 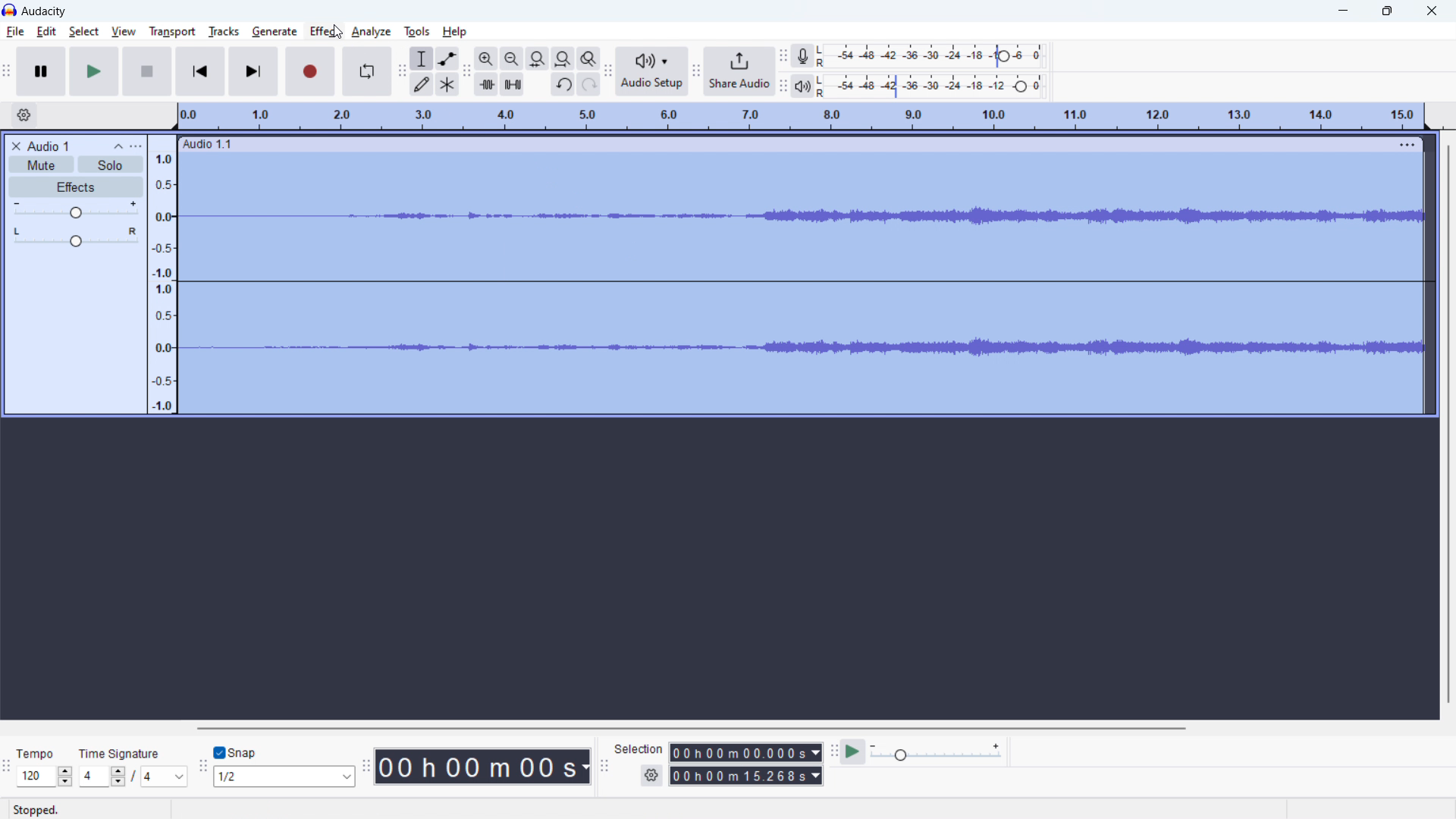 What do you see at coordinates (486, 83) in the screenshot?
I see `trim audio outside selection` at bounding box center [486, 83].